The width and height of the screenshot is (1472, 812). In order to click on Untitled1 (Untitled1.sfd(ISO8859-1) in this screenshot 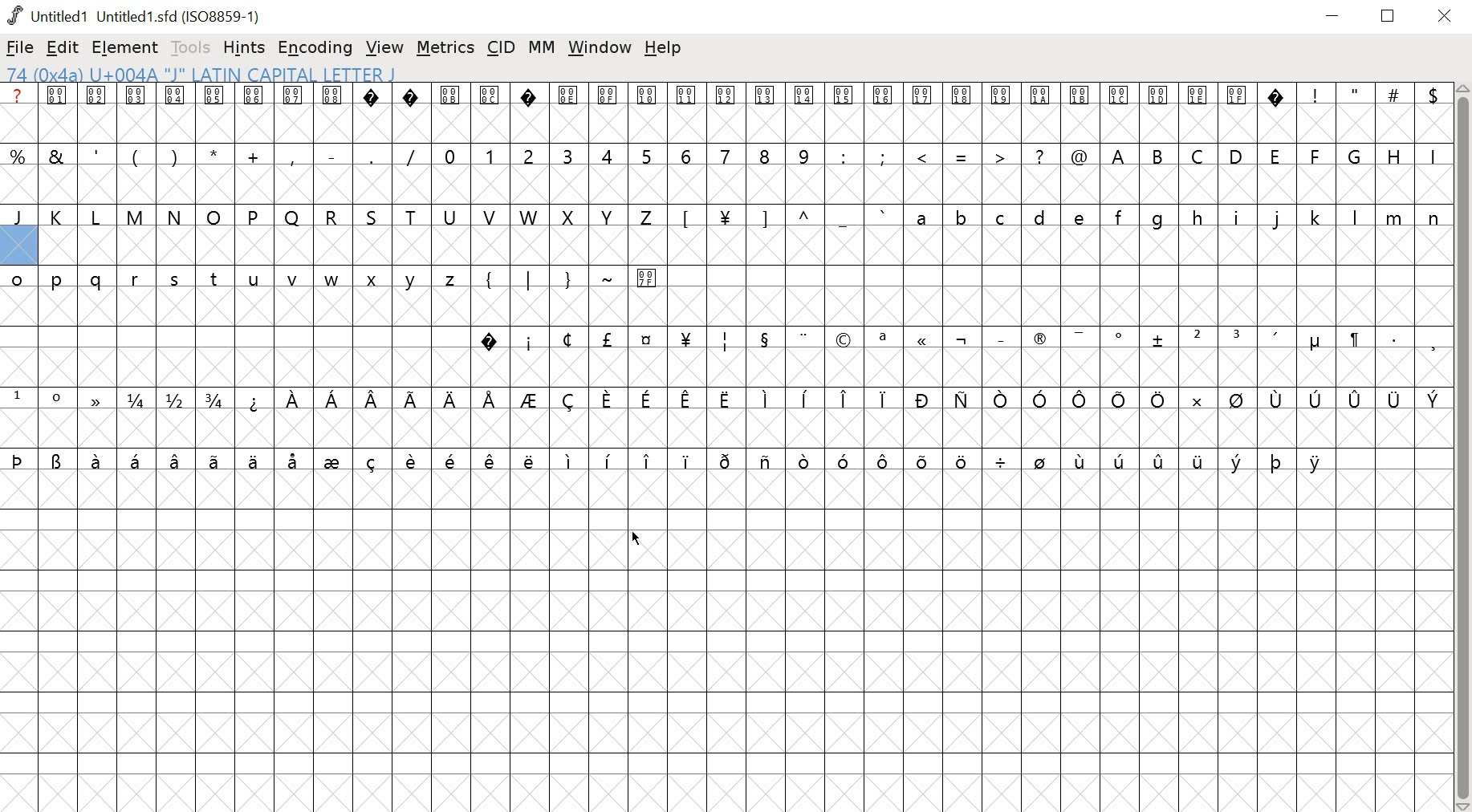, I will do `click(137, 15)`.